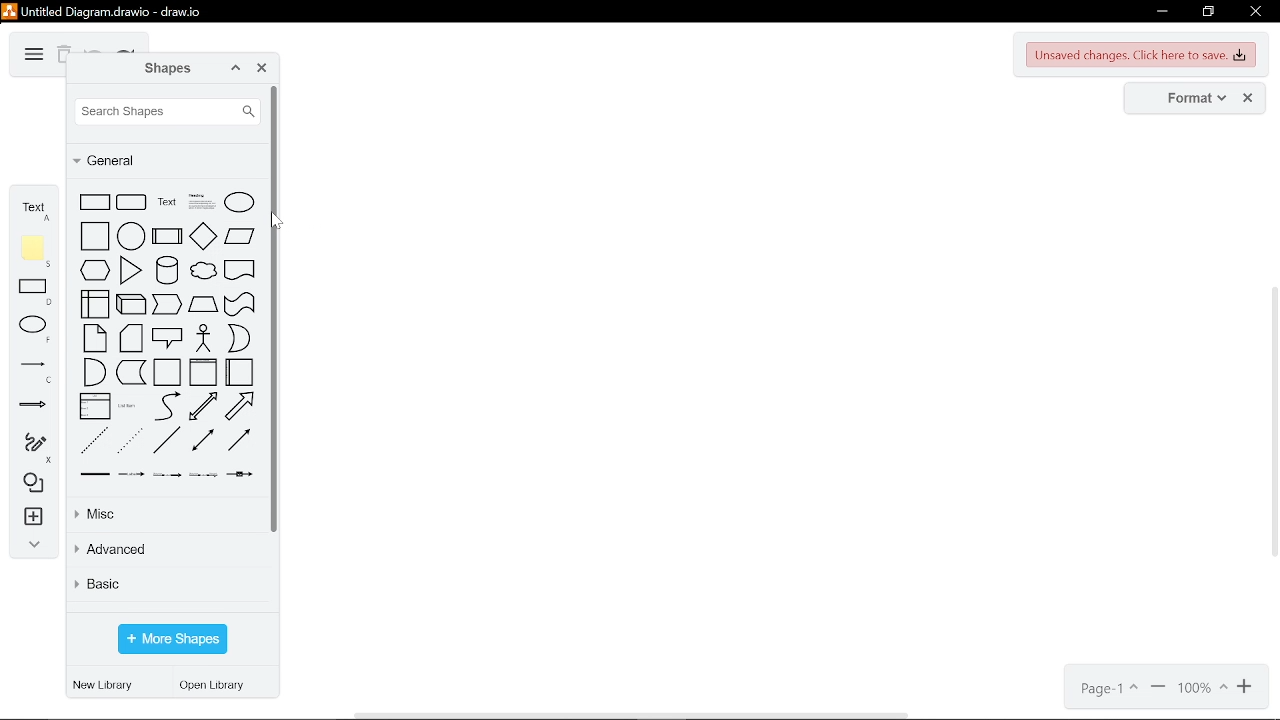 Image resolution: width=1280 pixels, height=720 pixels. Describe the element at coordinates (94, 49) in the screenshot. I see `undo` at that location.